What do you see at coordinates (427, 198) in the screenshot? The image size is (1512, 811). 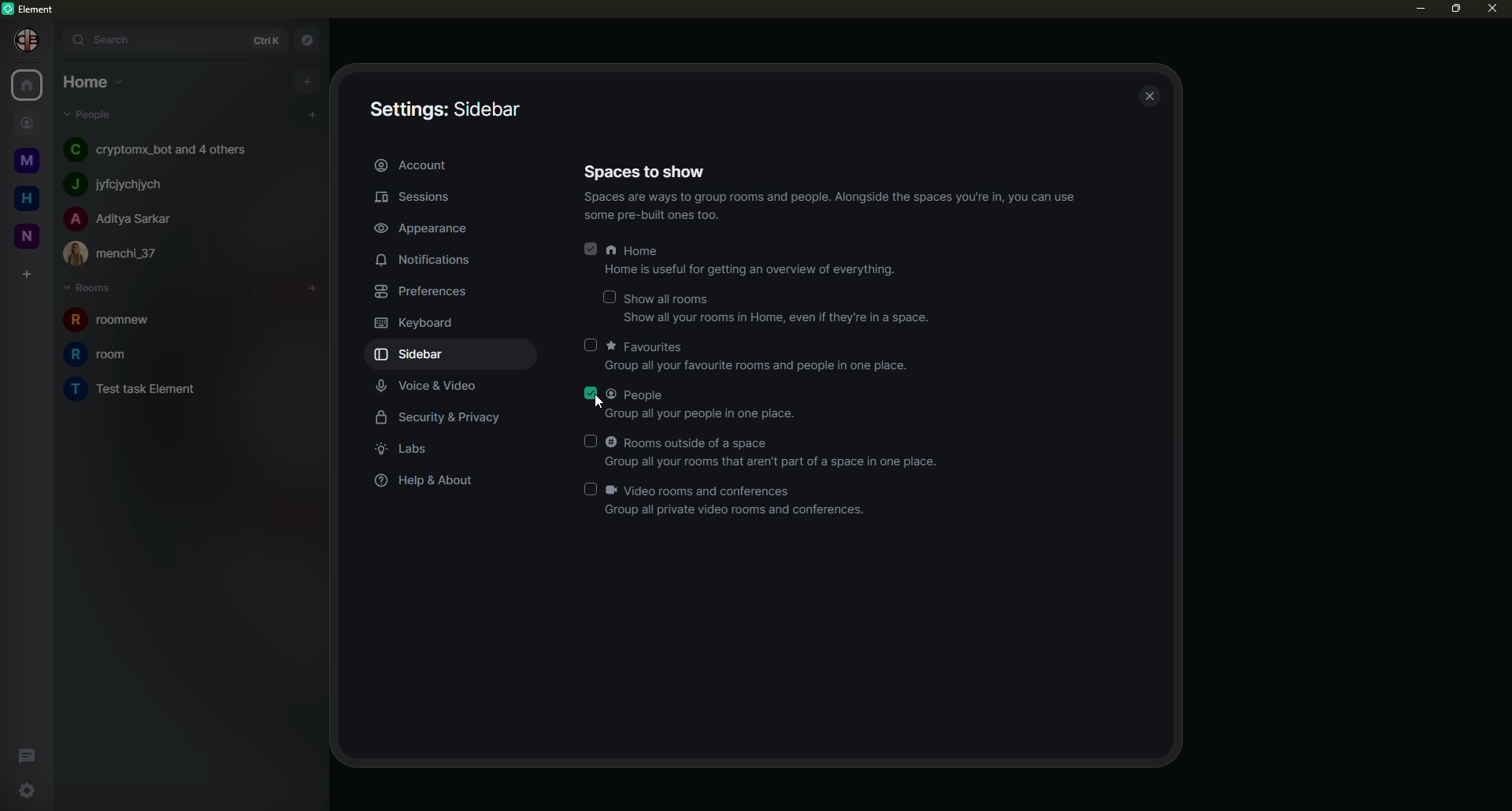 I see `sessions` at bounding box center [427, 198].